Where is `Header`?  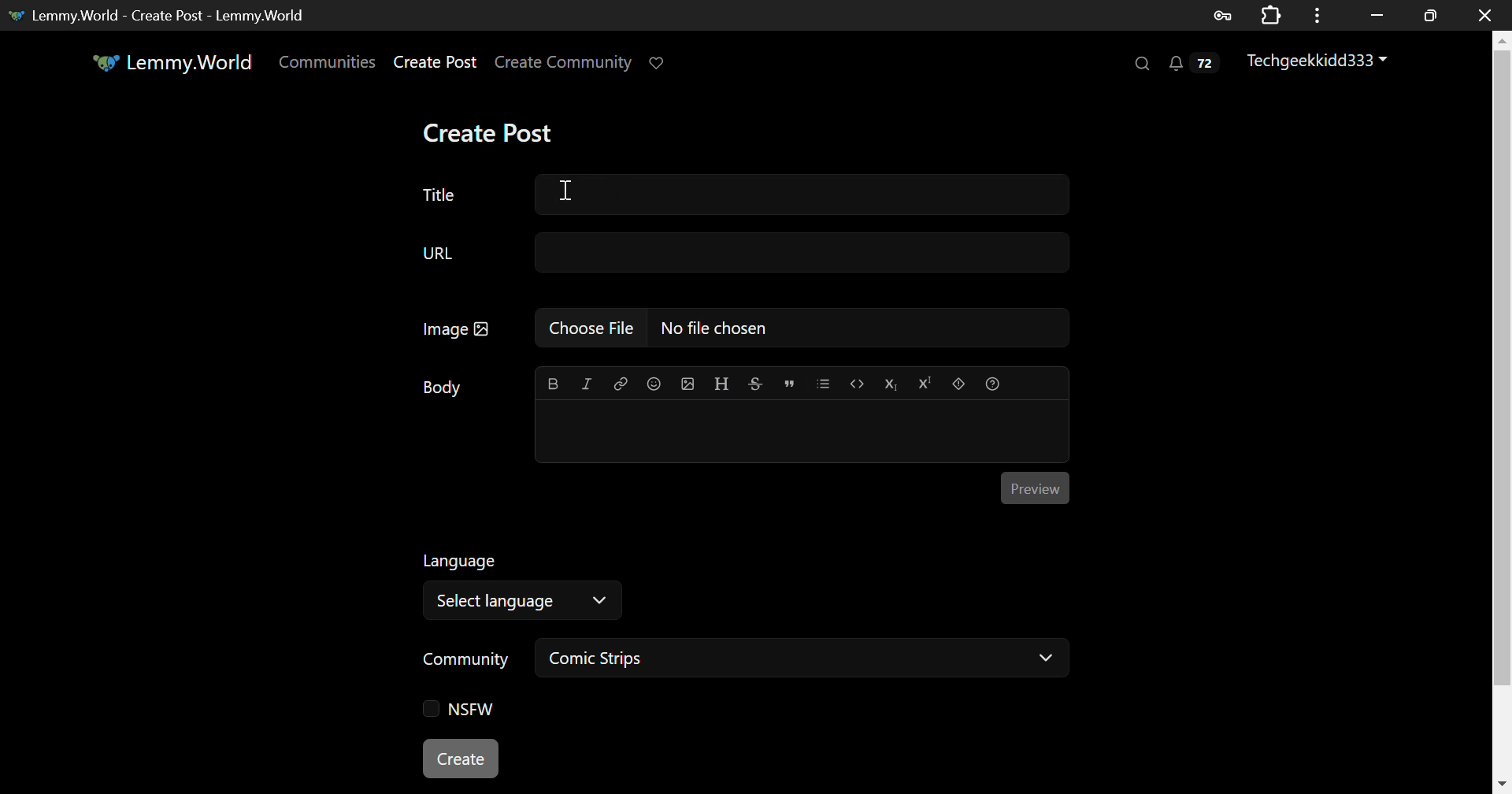 Header is located at coordinates (722, 384).